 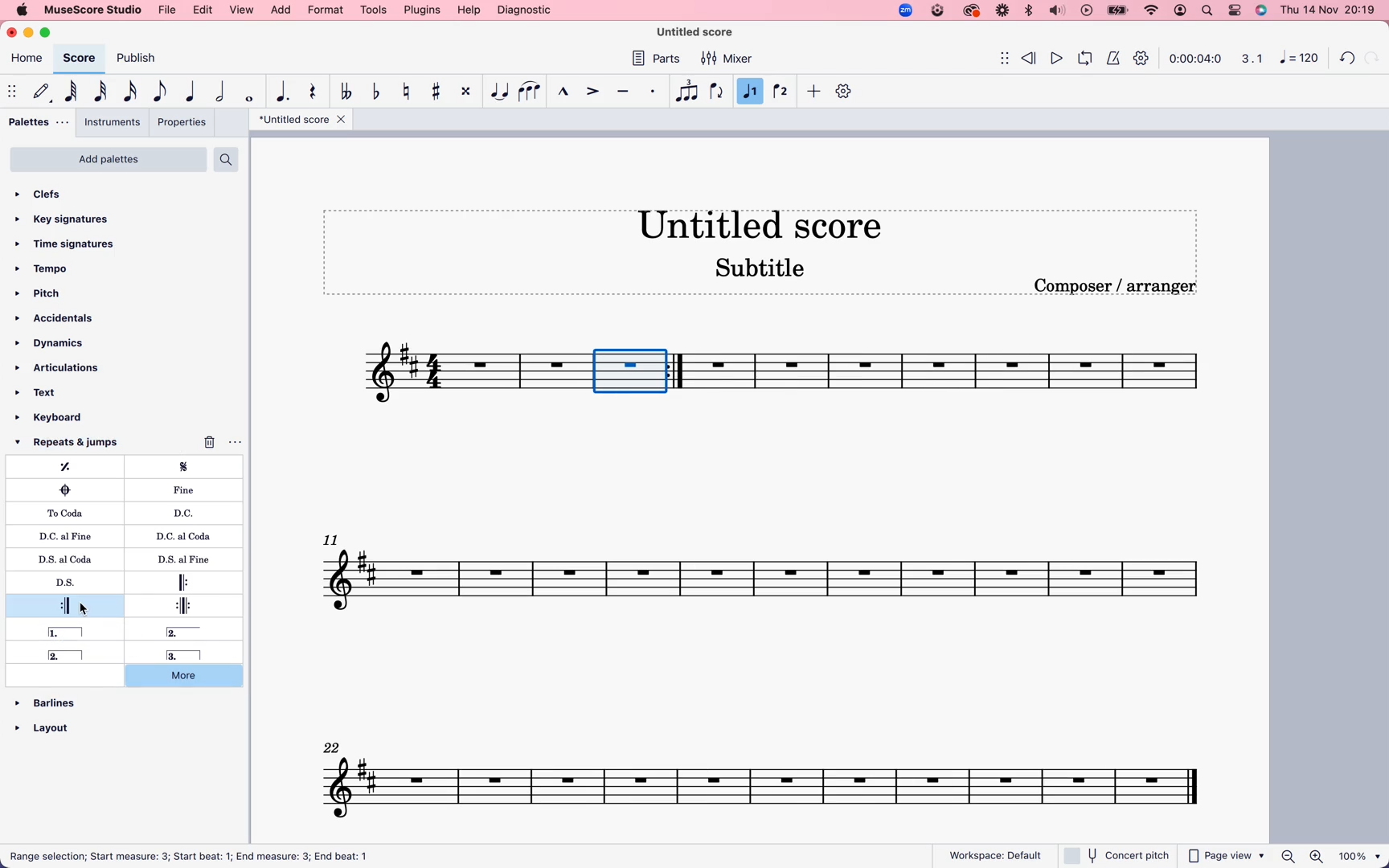 I want to click on zoom, so click(x=904, y=10).